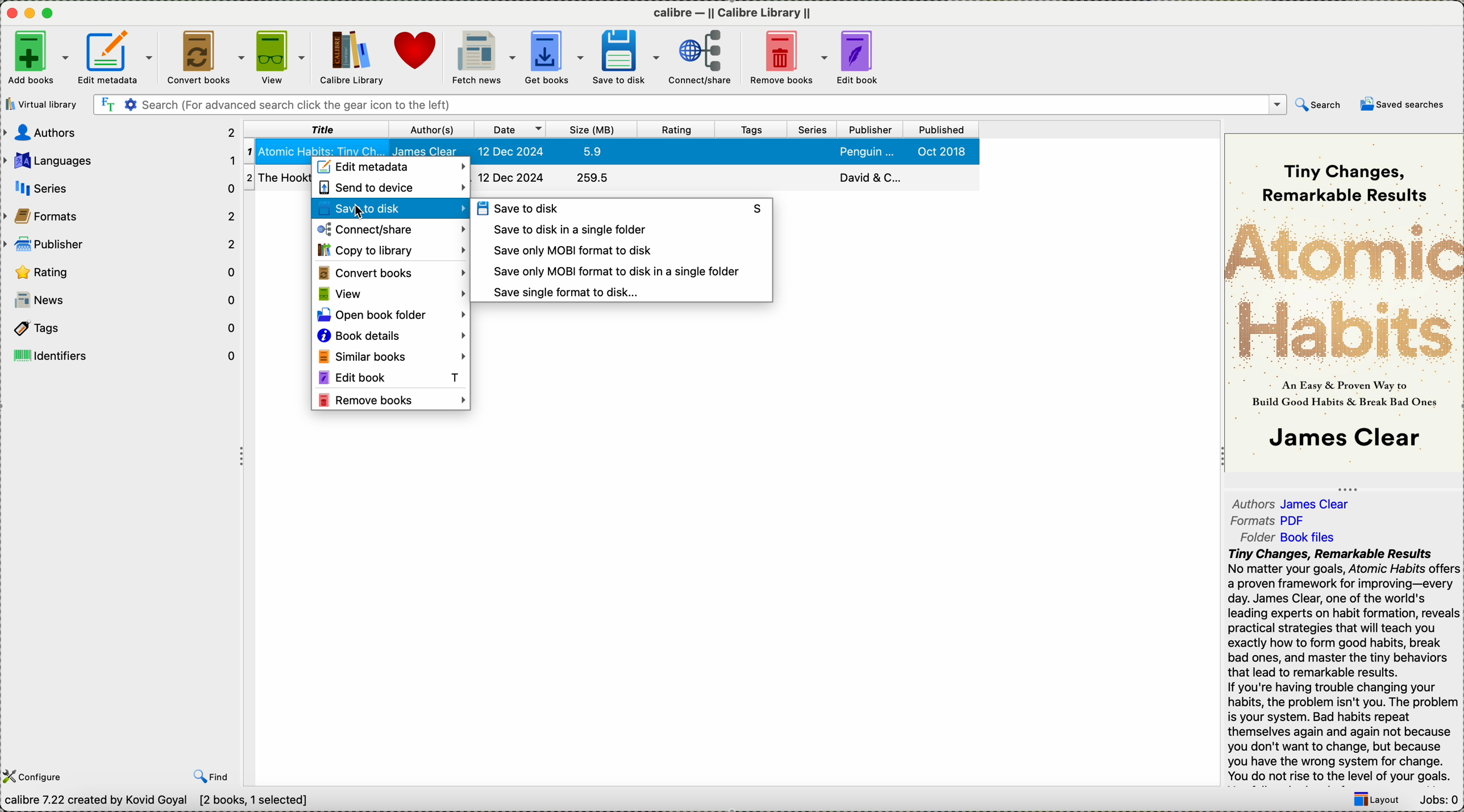  What do you see at coordinates (618, 149) in the screenshot?
I see `book selected` at bounding box center [618, 149].